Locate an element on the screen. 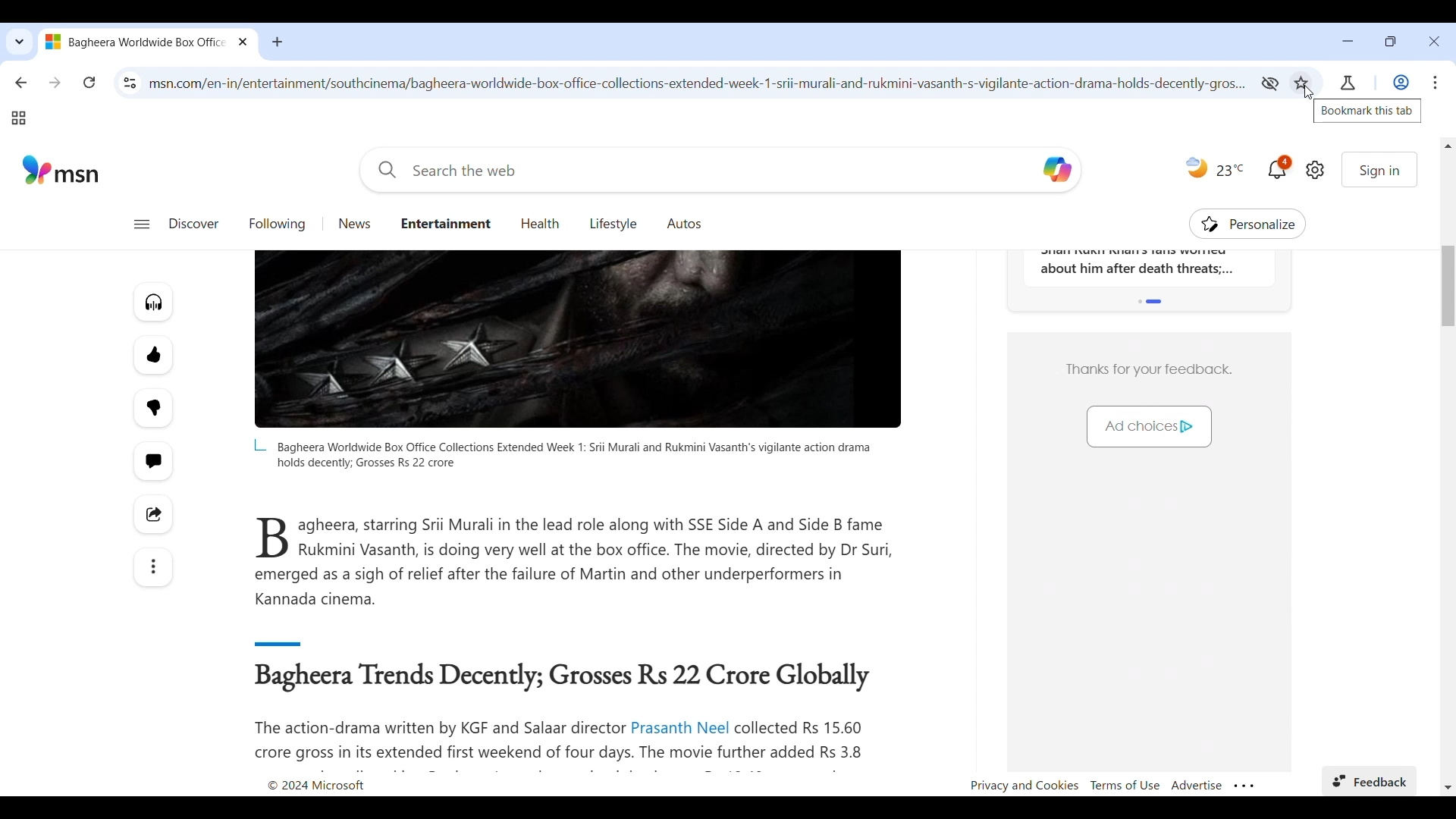  Bookmark this tab is located at coordinates (1301, 82).